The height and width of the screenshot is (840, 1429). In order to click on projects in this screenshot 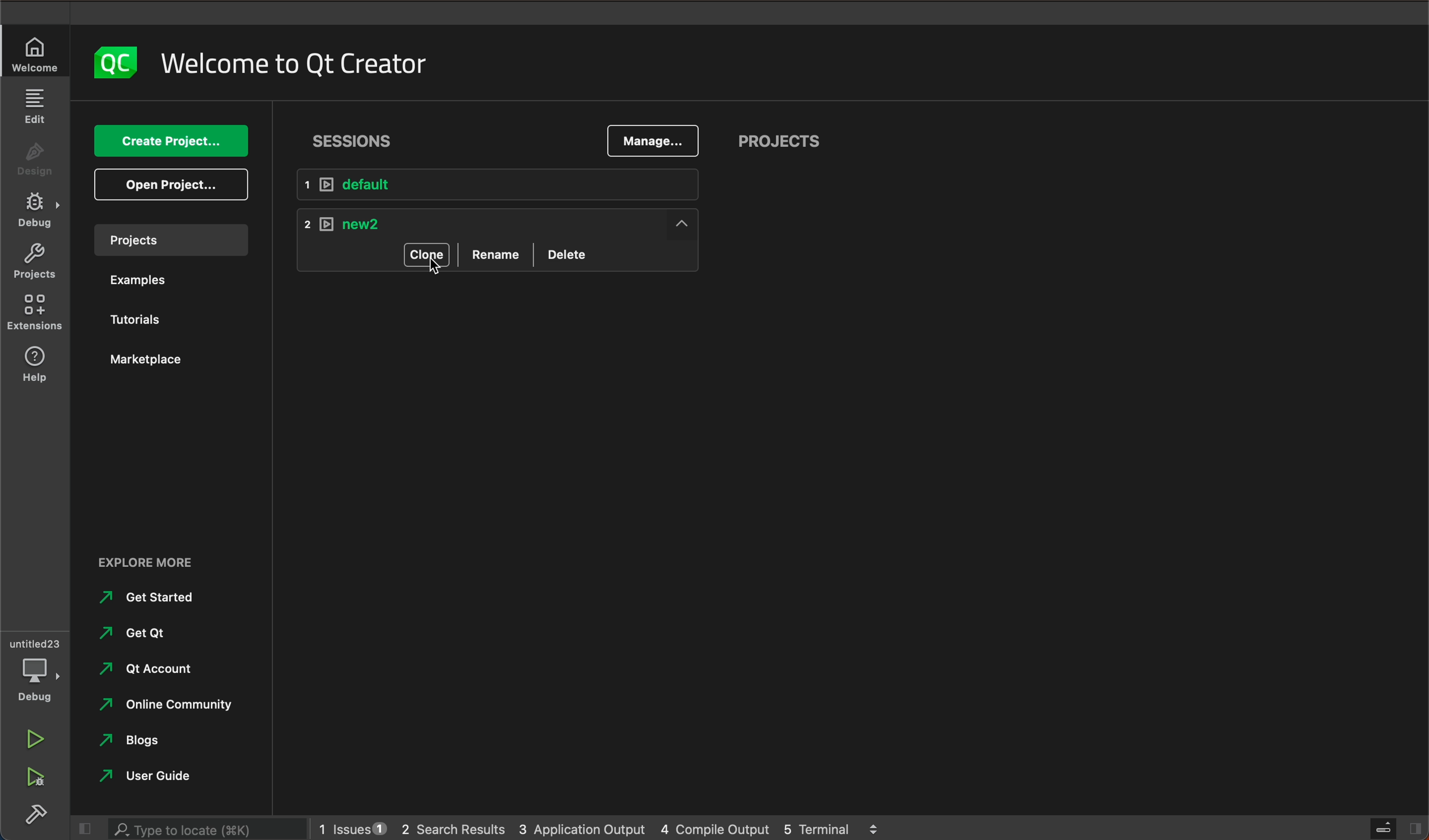, I will do `click(778, 139)`.